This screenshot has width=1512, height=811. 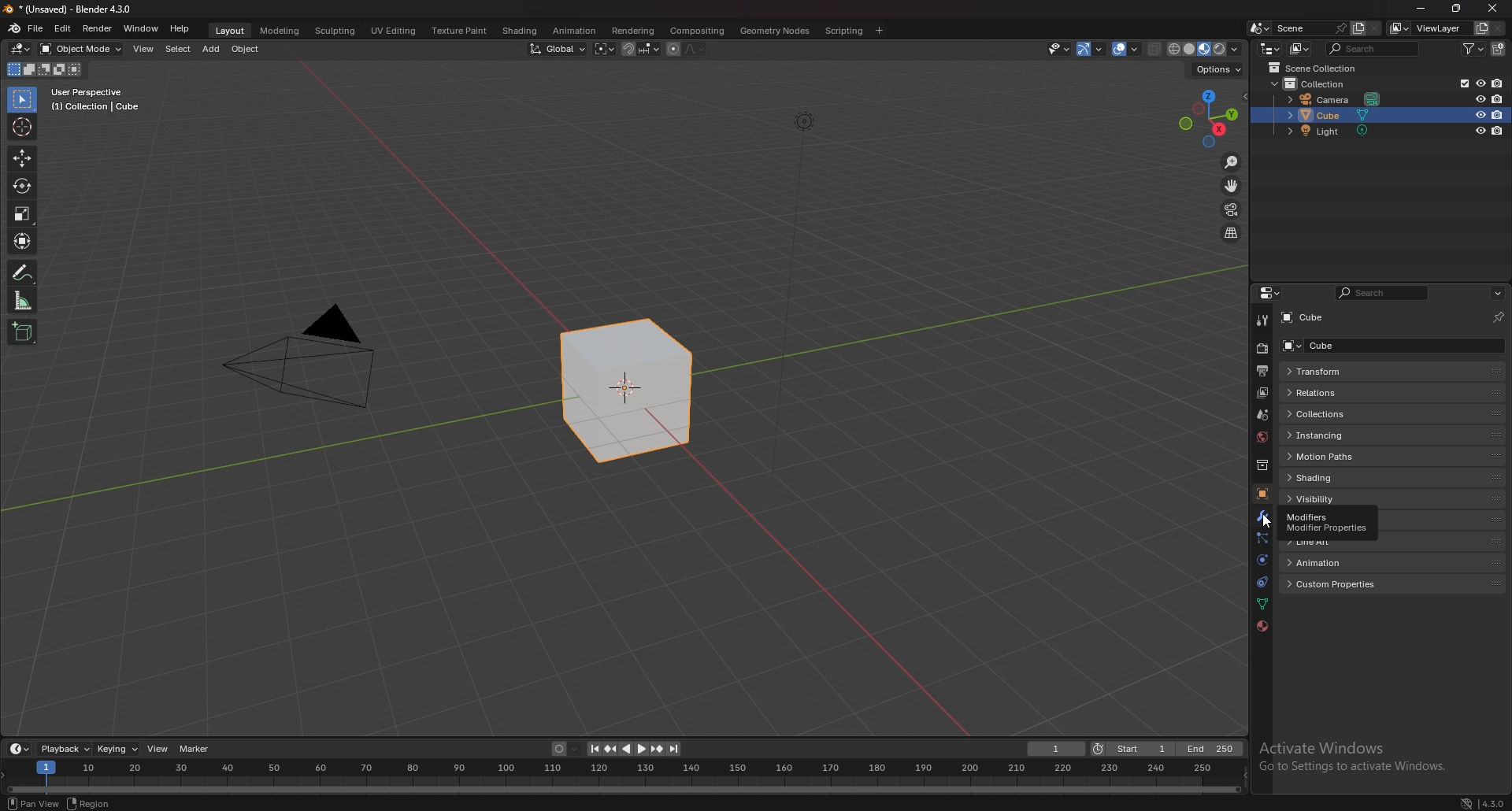 I want to click on seek, so click(x=625, y=778).